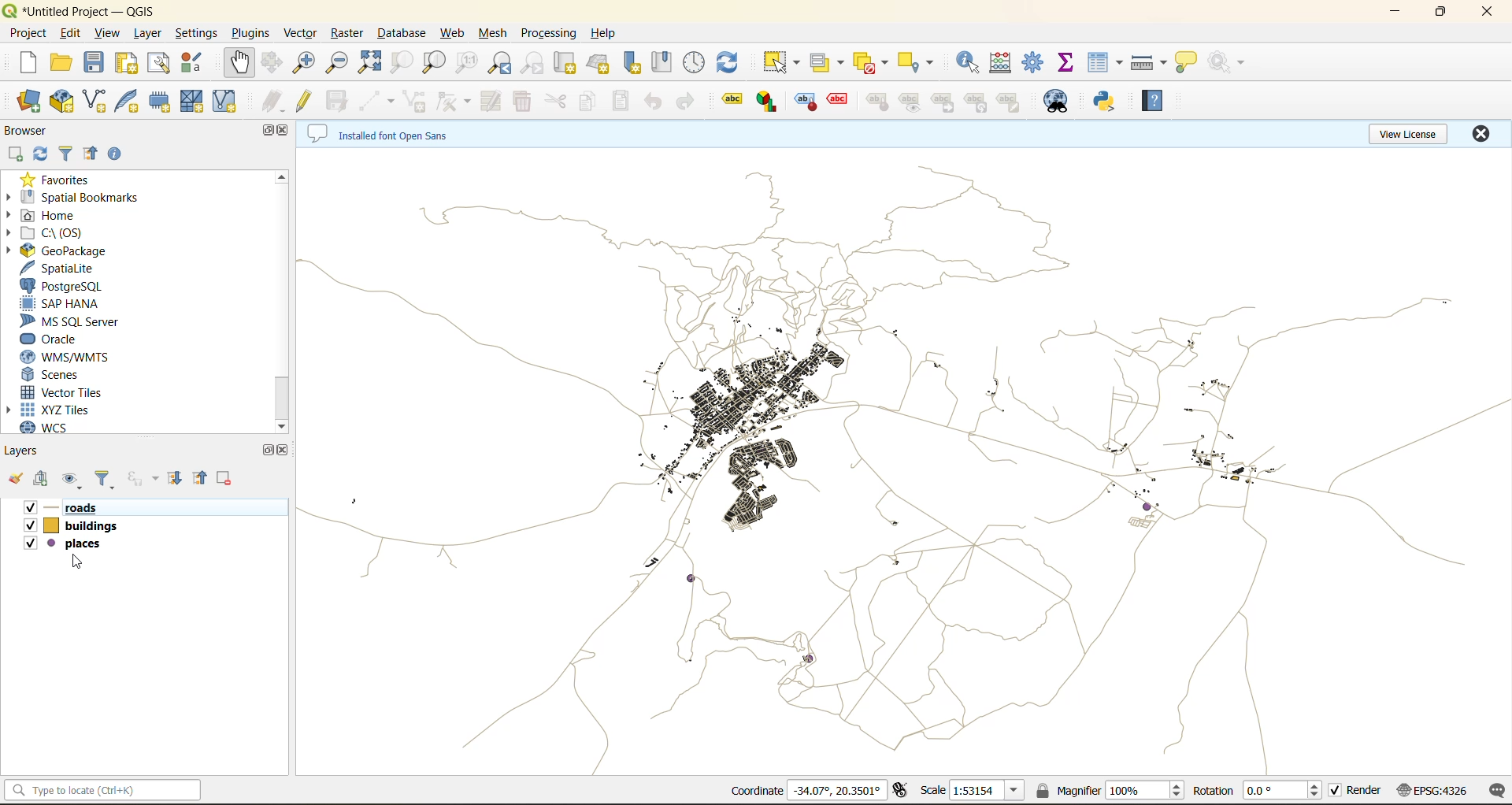 The width and height of the screenshot is (1512, 805). Describe the element at coordinates (198, 63) in the screenshot. I see `style manager` at that location.